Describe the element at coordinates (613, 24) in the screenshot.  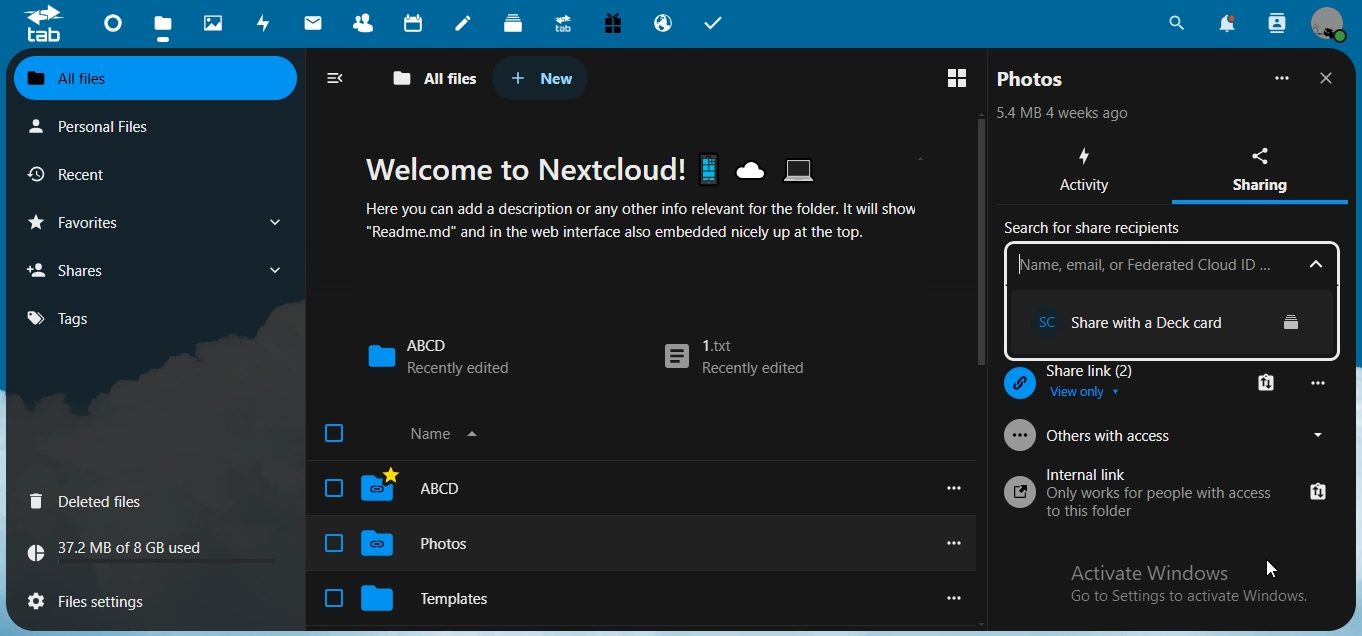
I see `free trial` at that location.